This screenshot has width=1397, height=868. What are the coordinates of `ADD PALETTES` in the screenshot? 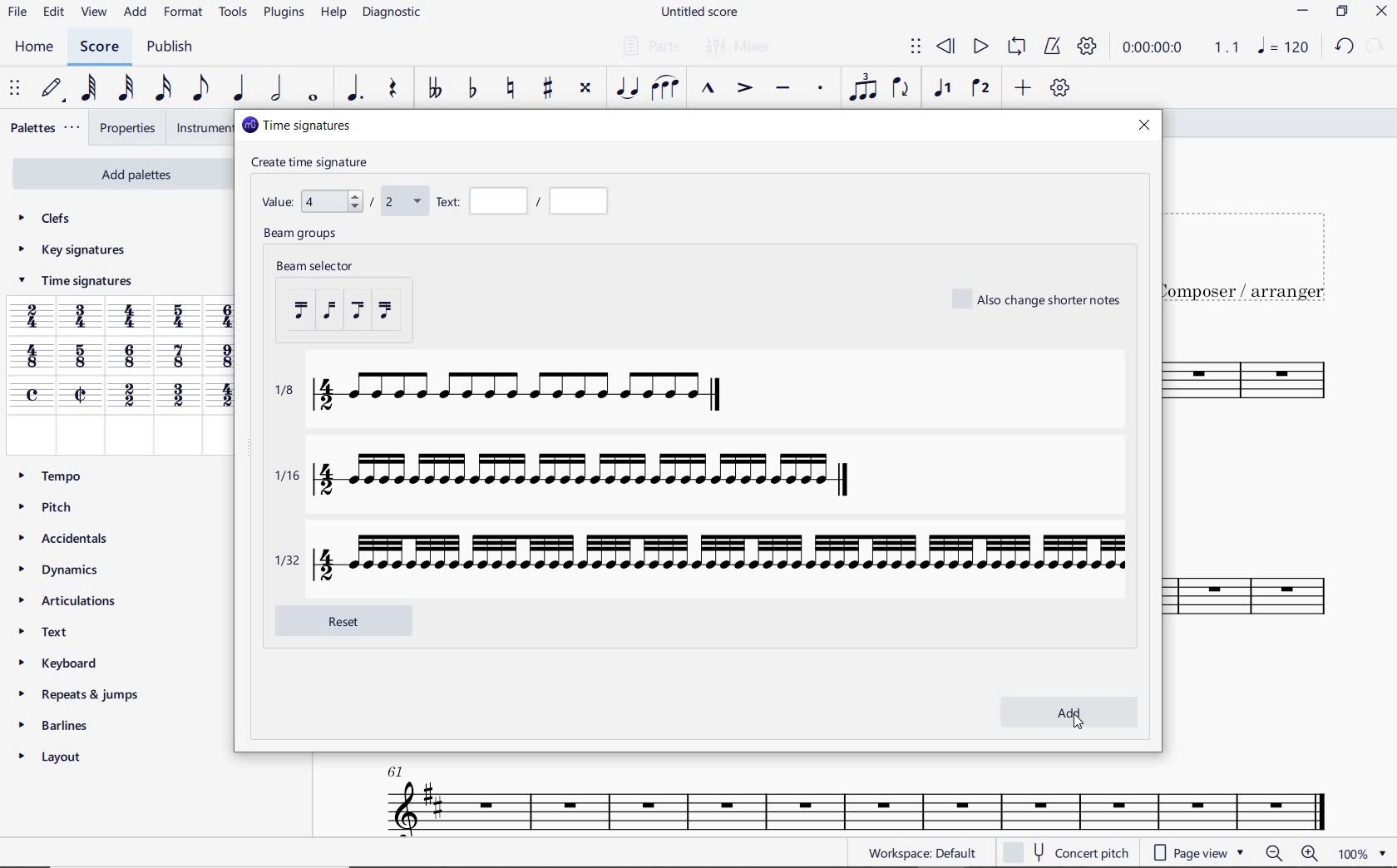 It's located at (120, 175).